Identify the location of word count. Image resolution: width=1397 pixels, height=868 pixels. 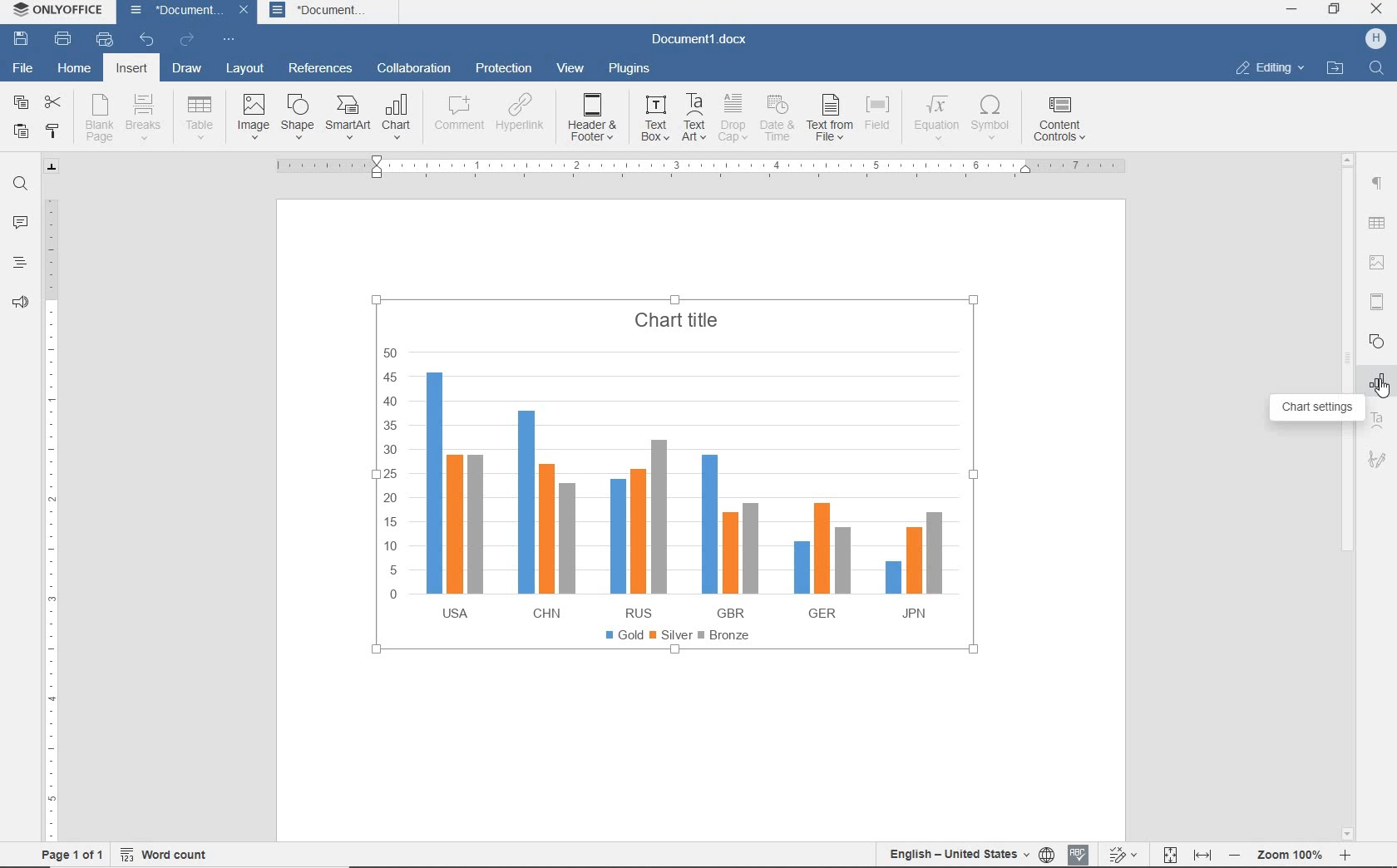
(169, 852).